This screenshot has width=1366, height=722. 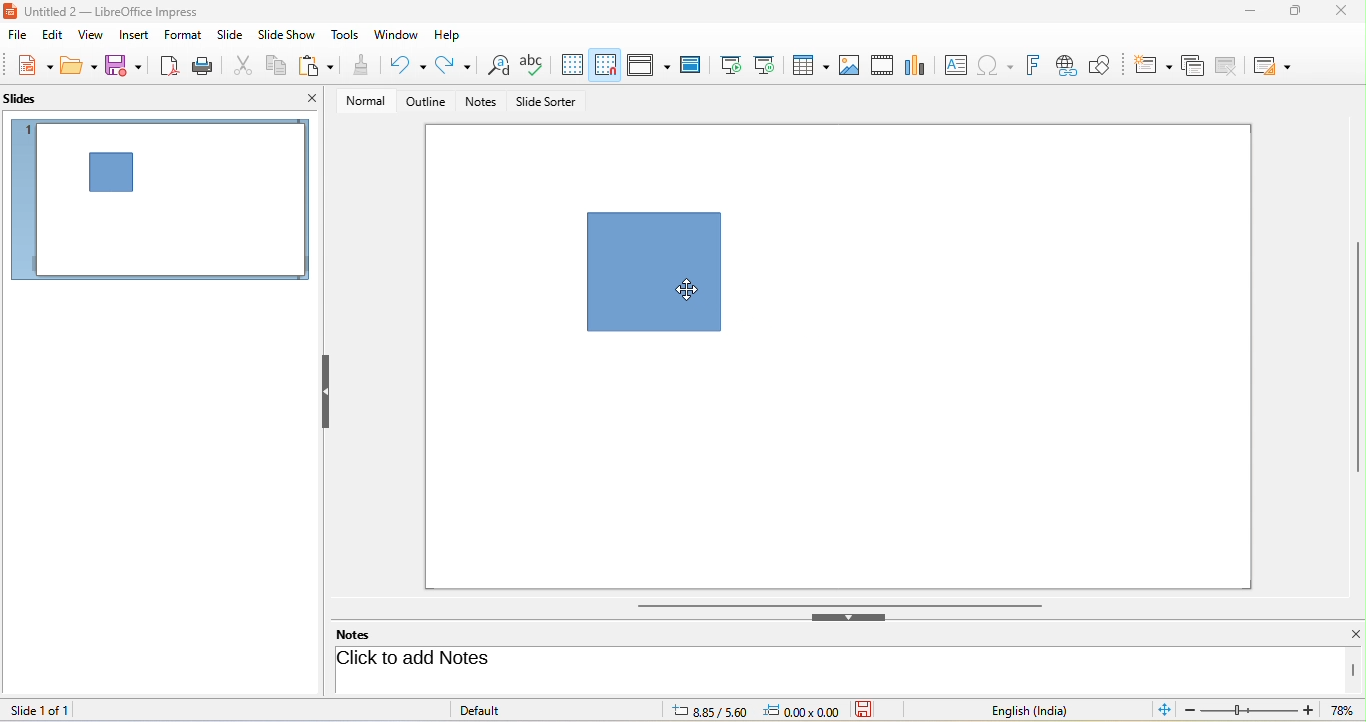 I want to click on vertical scroll bar, so click(x=1357, y=357).